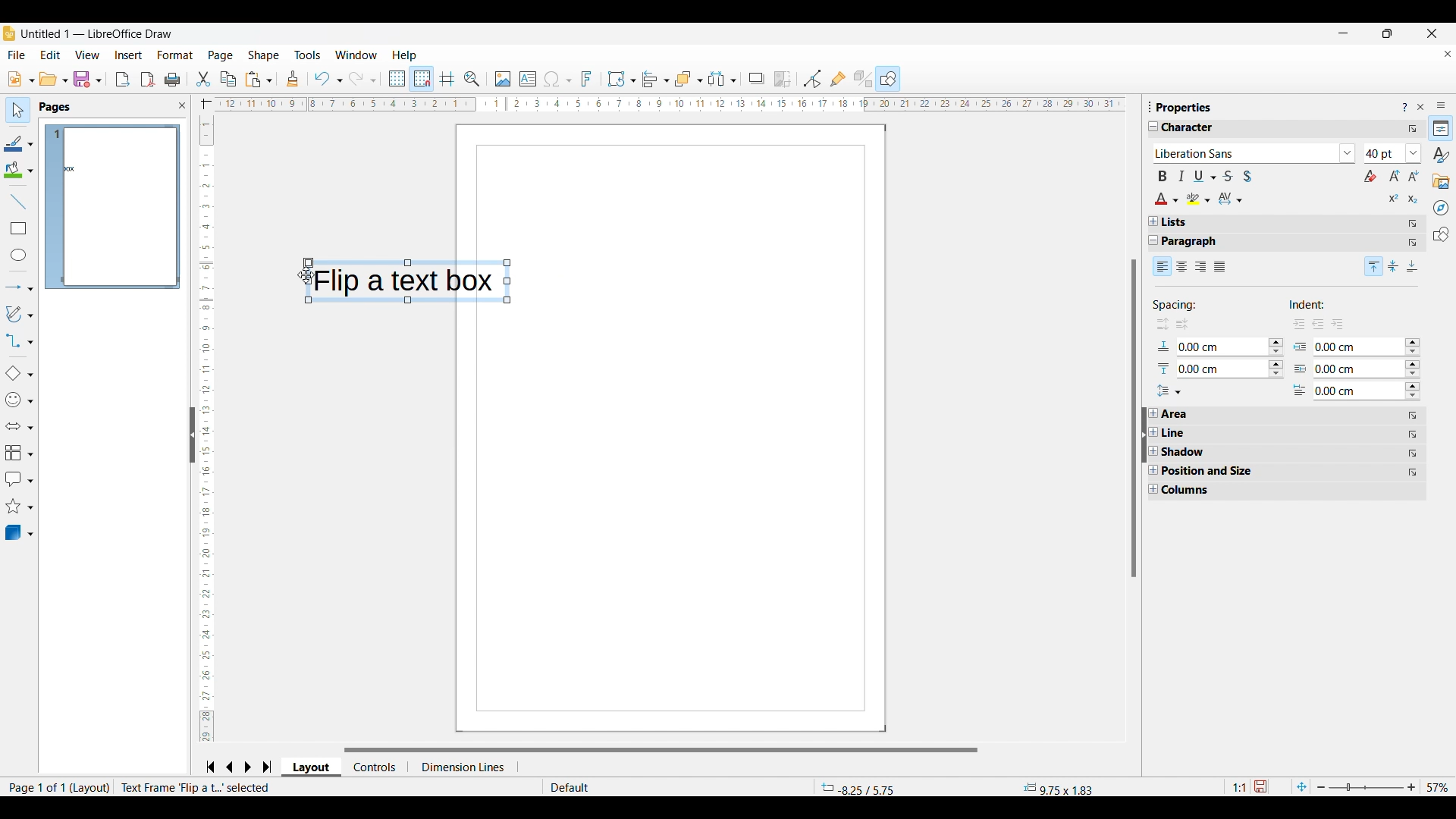 The image size is (1456, 819). What do you see at coordinates (622, 79) in the screenshot?
I see `Transformation options` at bounding box center [622, 79].